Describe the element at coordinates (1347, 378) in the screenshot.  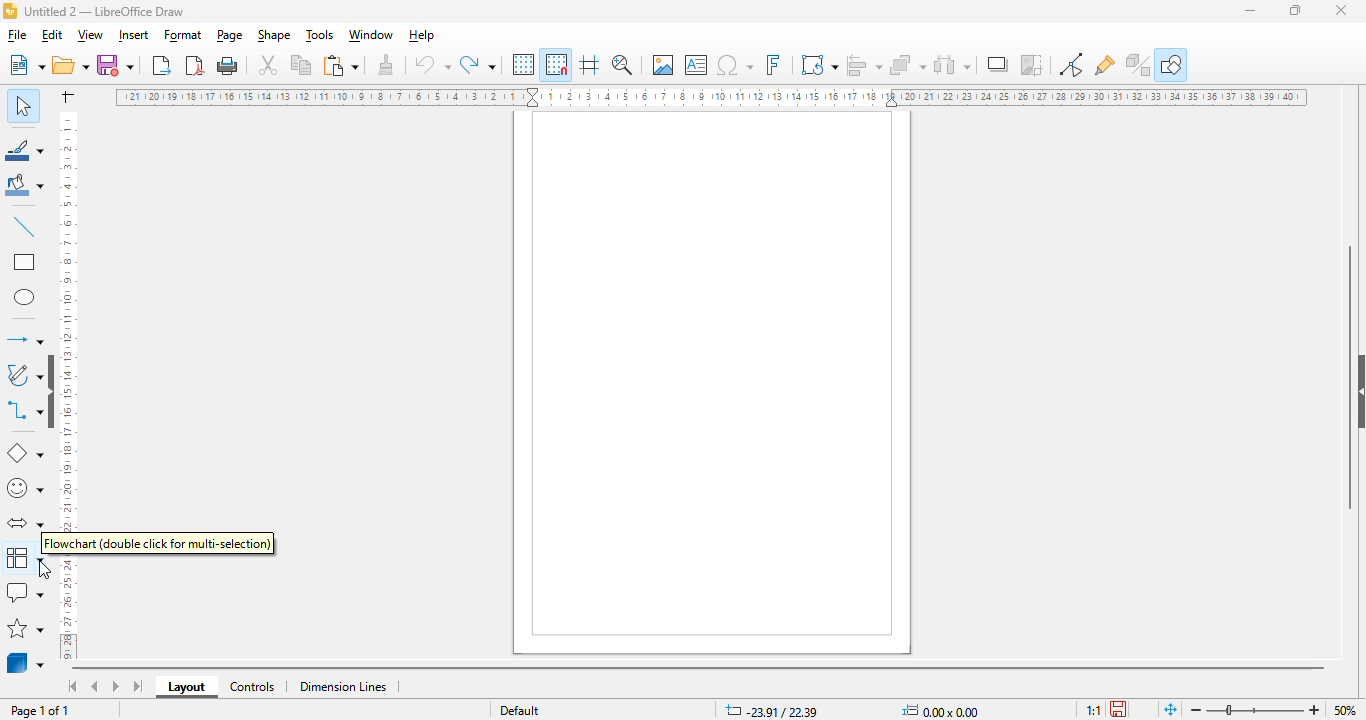
I see `vertical scroll bar` at that location.